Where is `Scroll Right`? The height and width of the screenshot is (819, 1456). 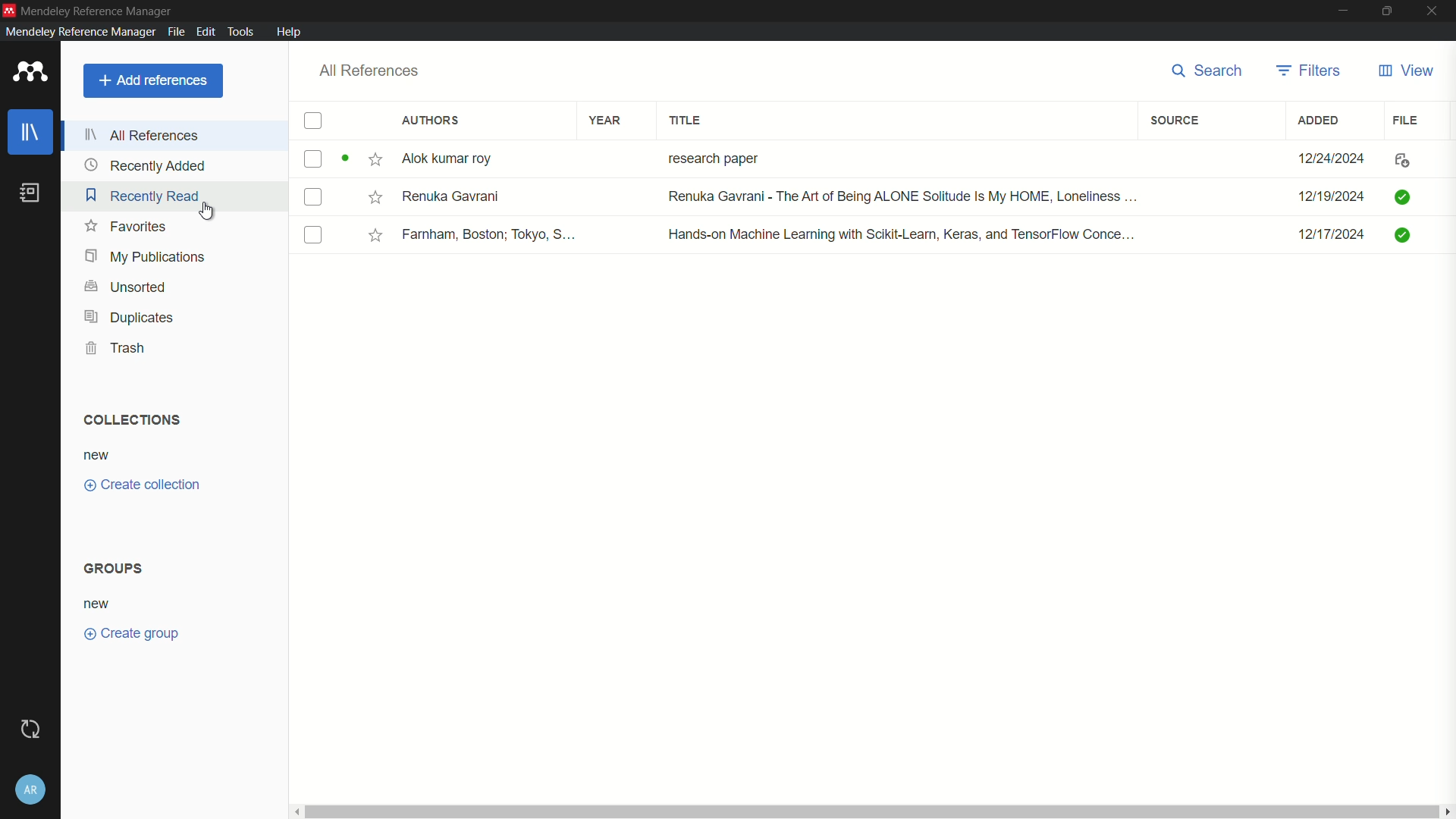 Scroll Right is located at coordinates (1447, 811).